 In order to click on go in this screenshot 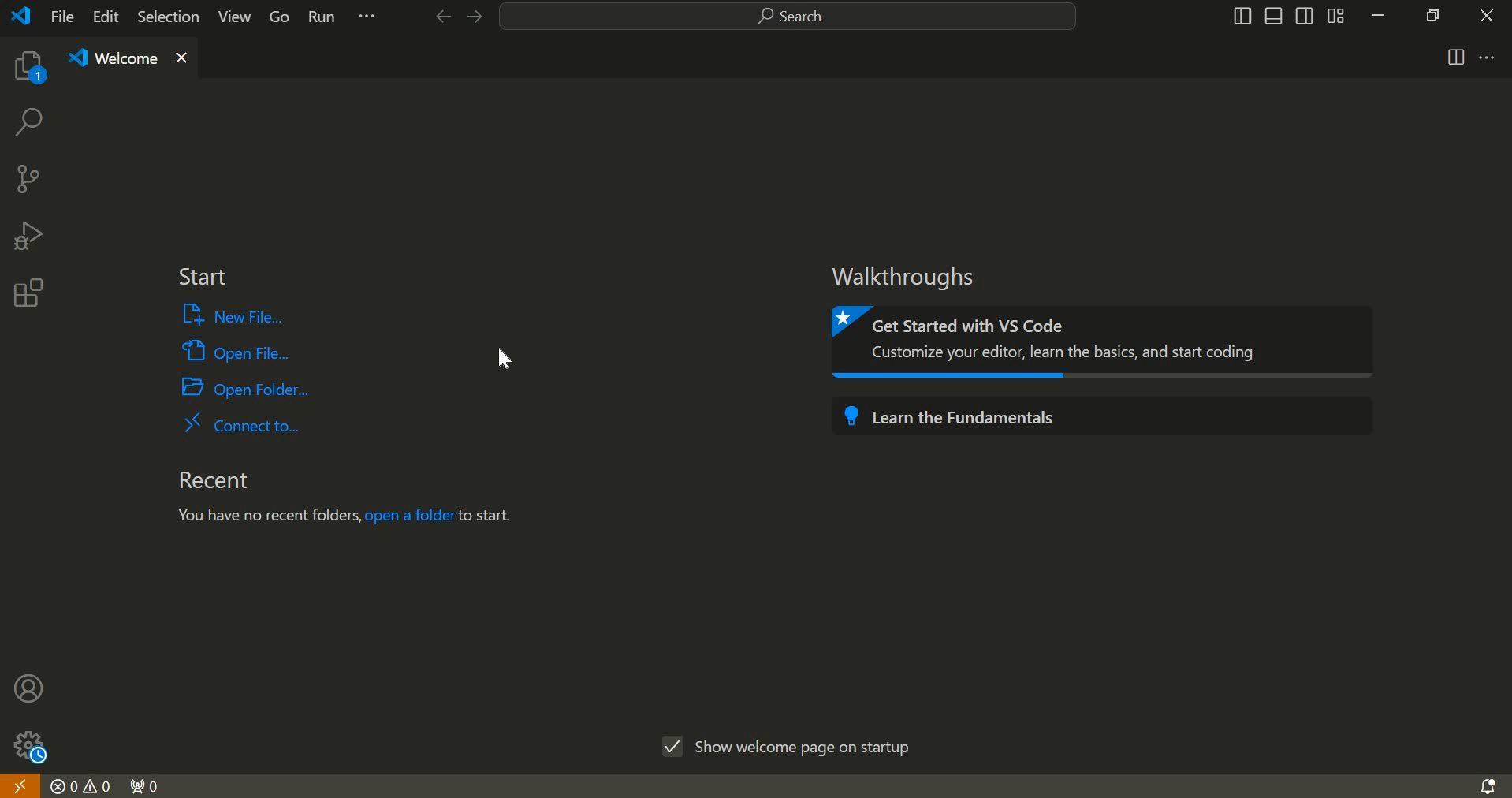, I will do `click(280, 19)`.